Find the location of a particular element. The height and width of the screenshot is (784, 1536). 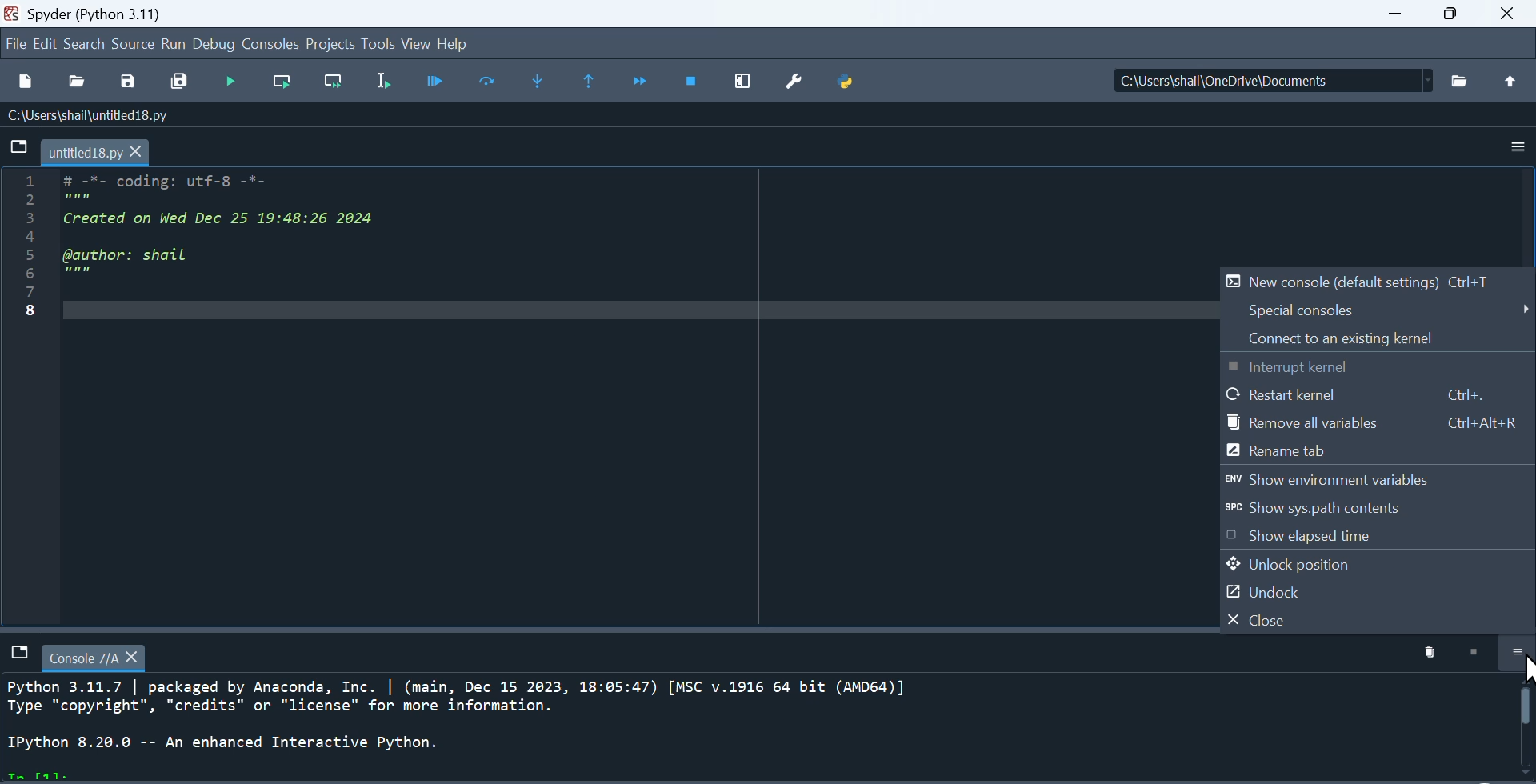

open is located at coordinates (78, 82).